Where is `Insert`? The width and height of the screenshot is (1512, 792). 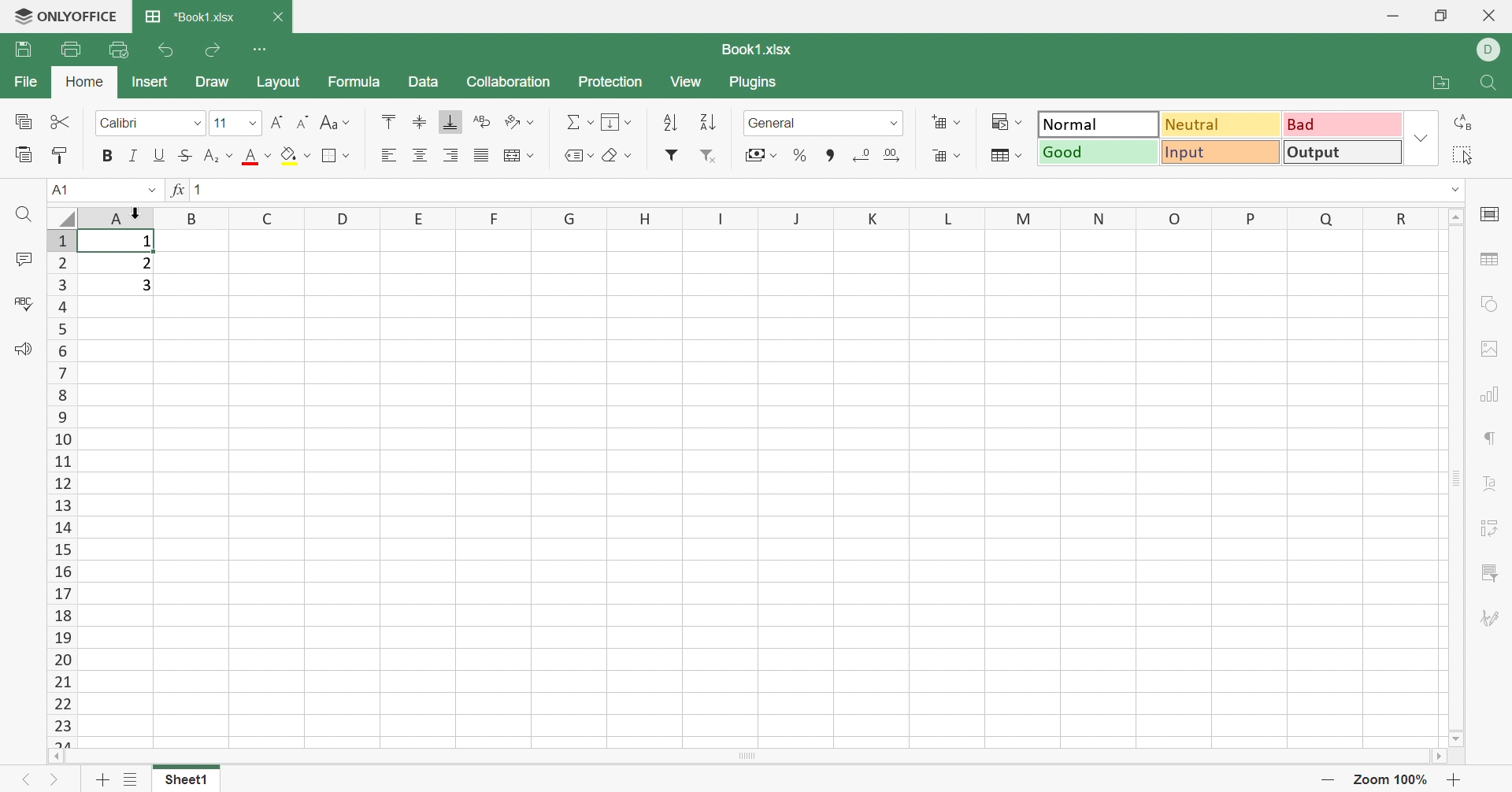
Insert is located at coordinates (150, 81).